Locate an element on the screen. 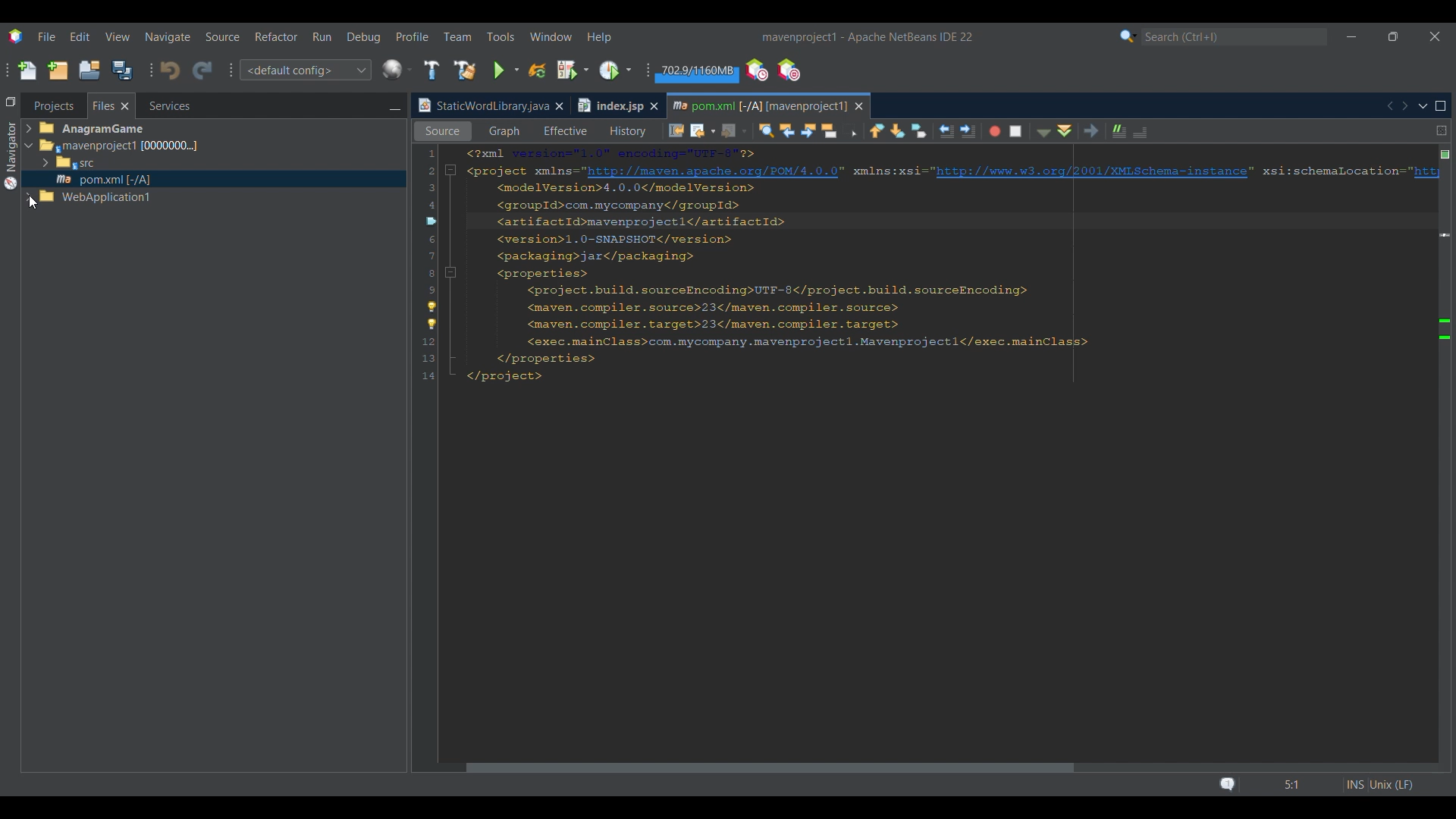  Reload is located at coordinates (538, 71).